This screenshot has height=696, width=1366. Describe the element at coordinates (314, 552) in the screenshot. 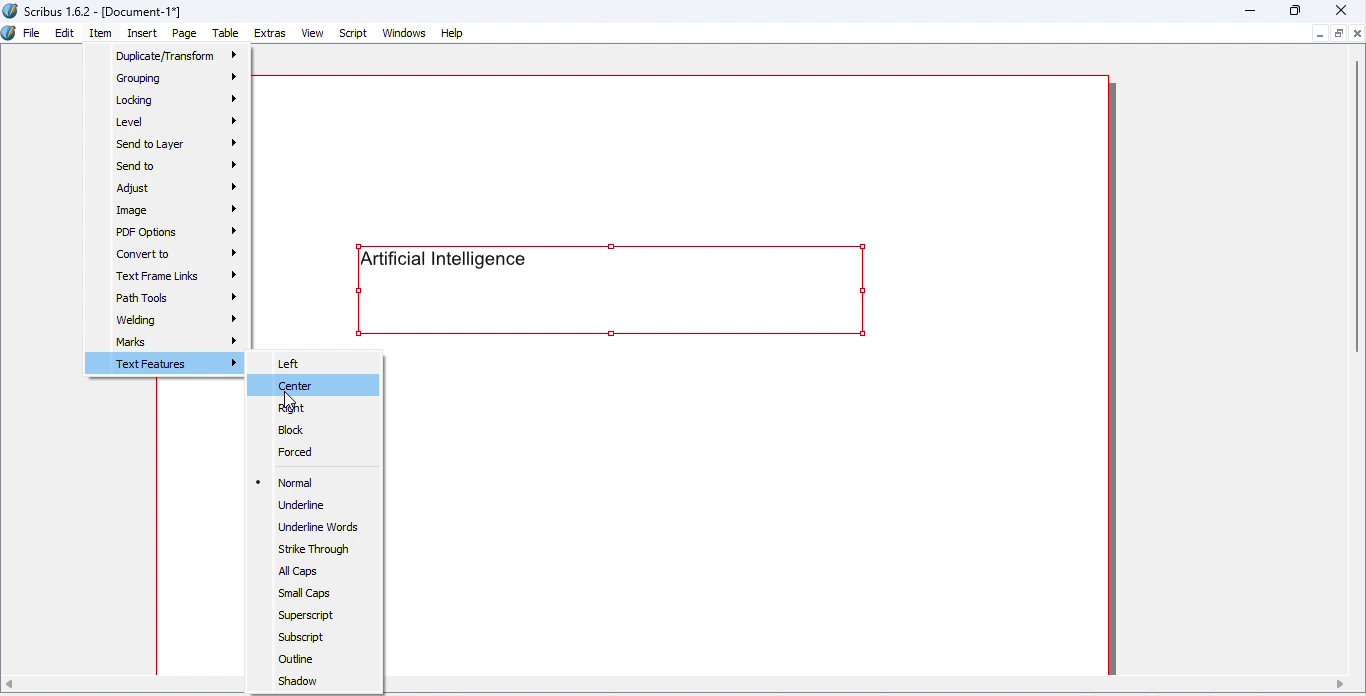

I see `Strike through` at that location.